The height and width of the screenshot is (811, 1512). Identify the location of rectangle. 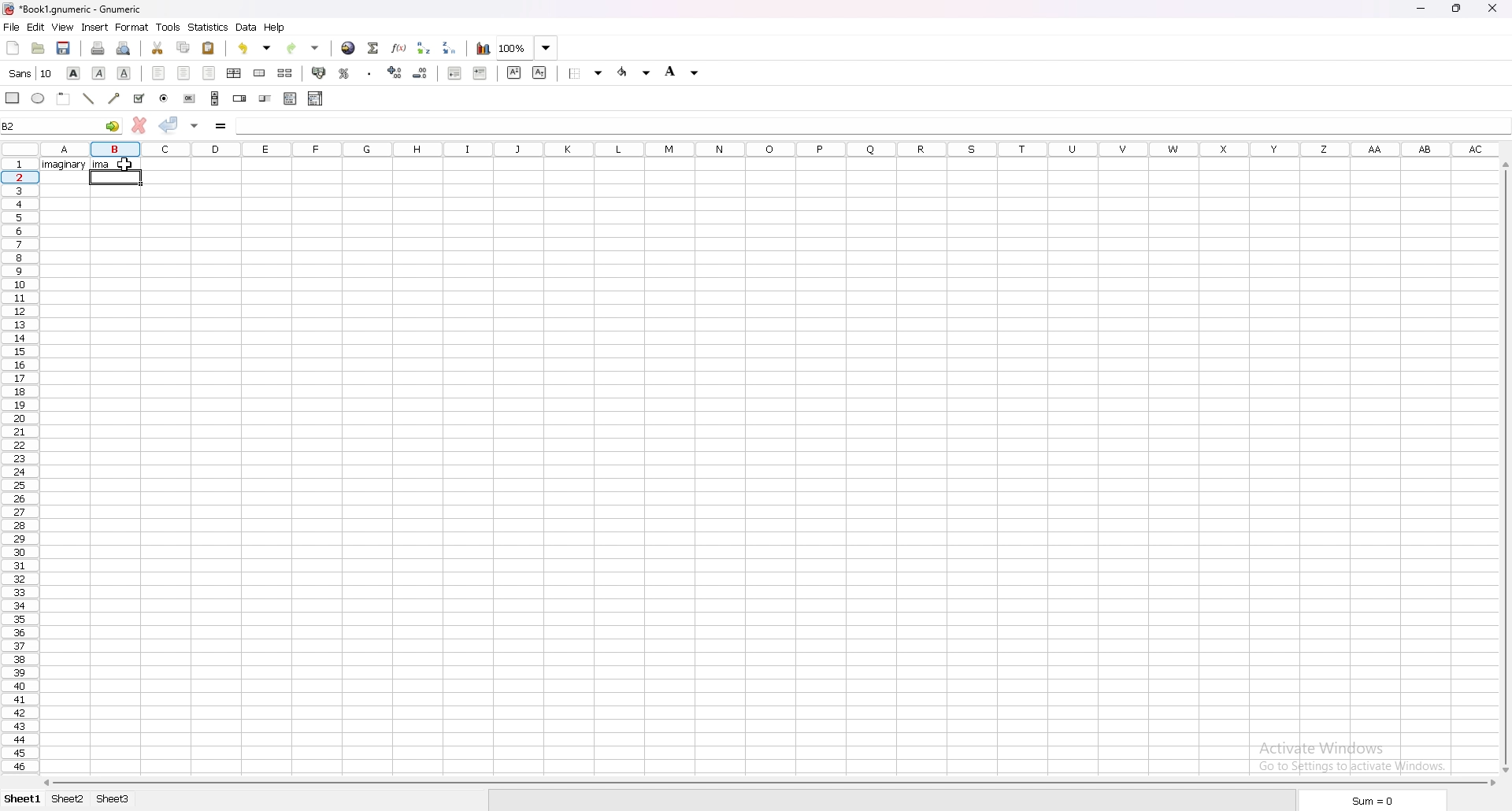
(13, 98).